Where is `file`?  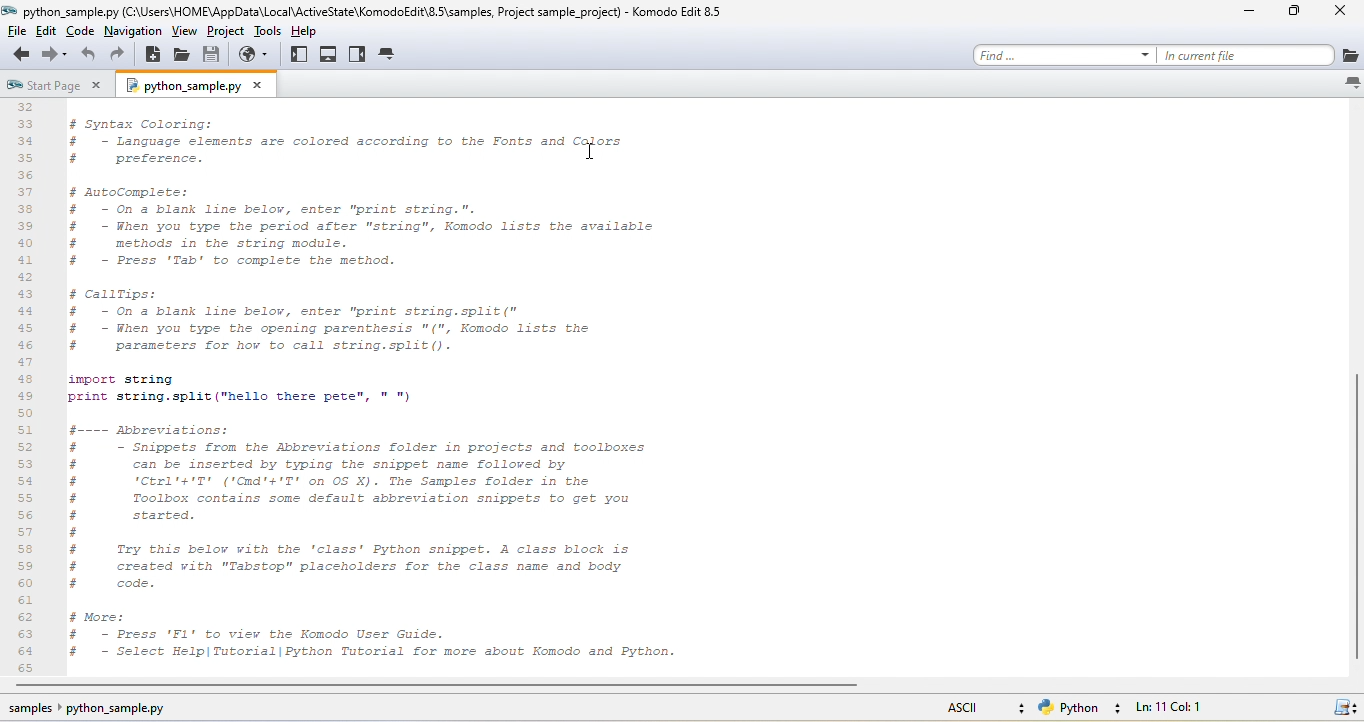
file is located at coordinates (21, 32).